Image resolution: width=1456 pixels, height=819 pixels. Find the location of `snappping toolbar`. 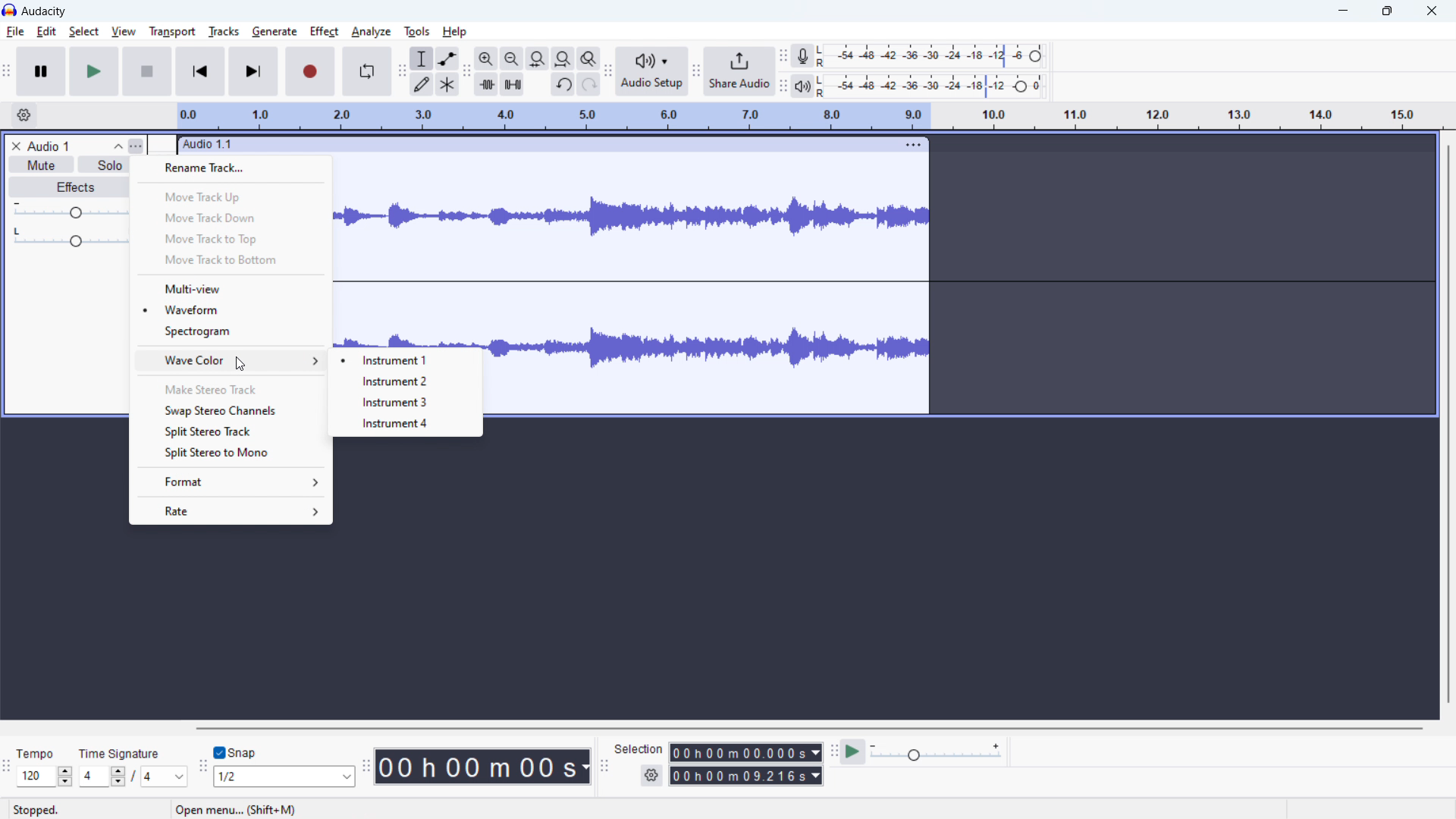

snappping toolbar is located at coordinates (203, 768).